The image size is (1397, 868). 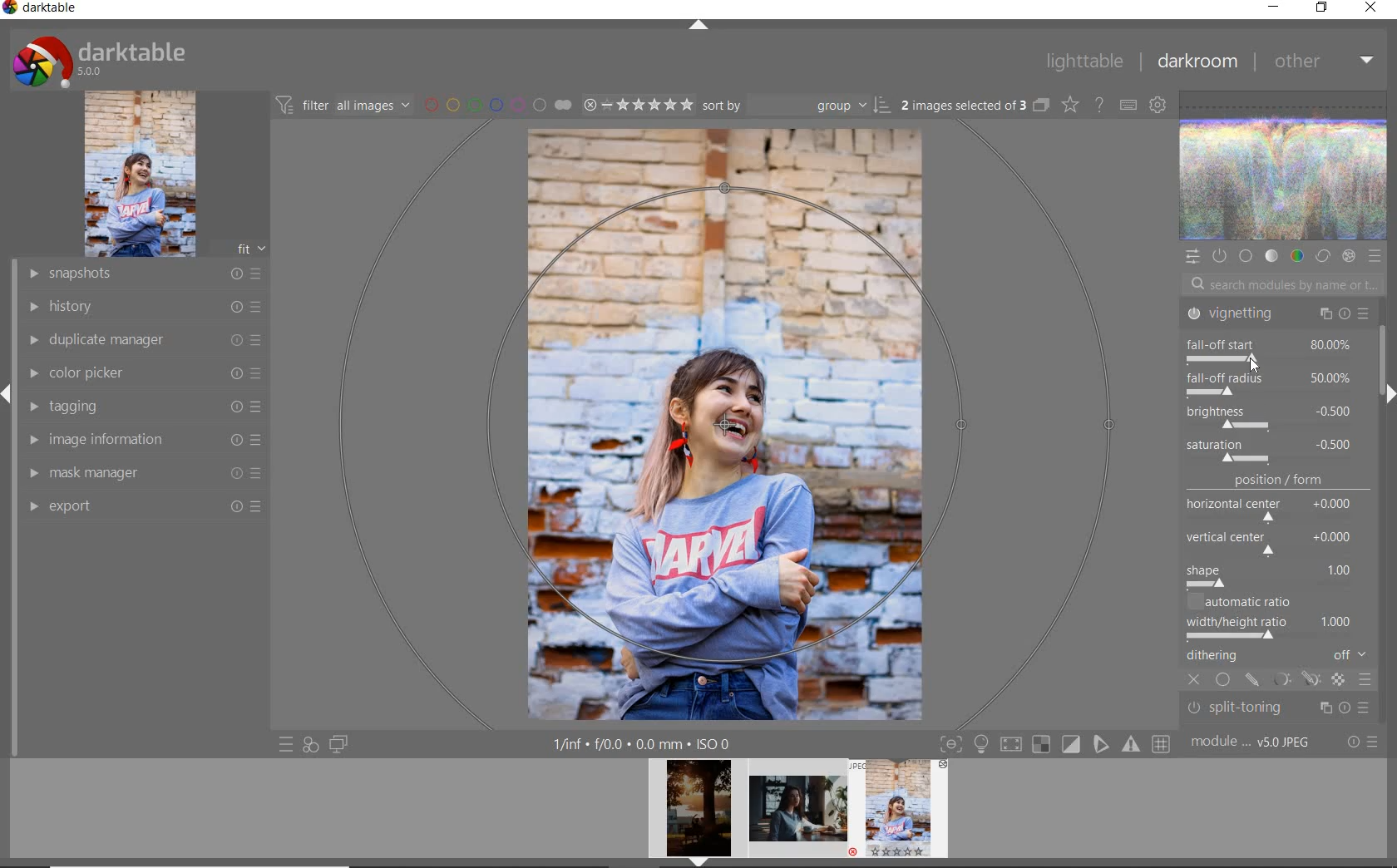 I want to click on fall-off radius, so click(x=1275, y=382).